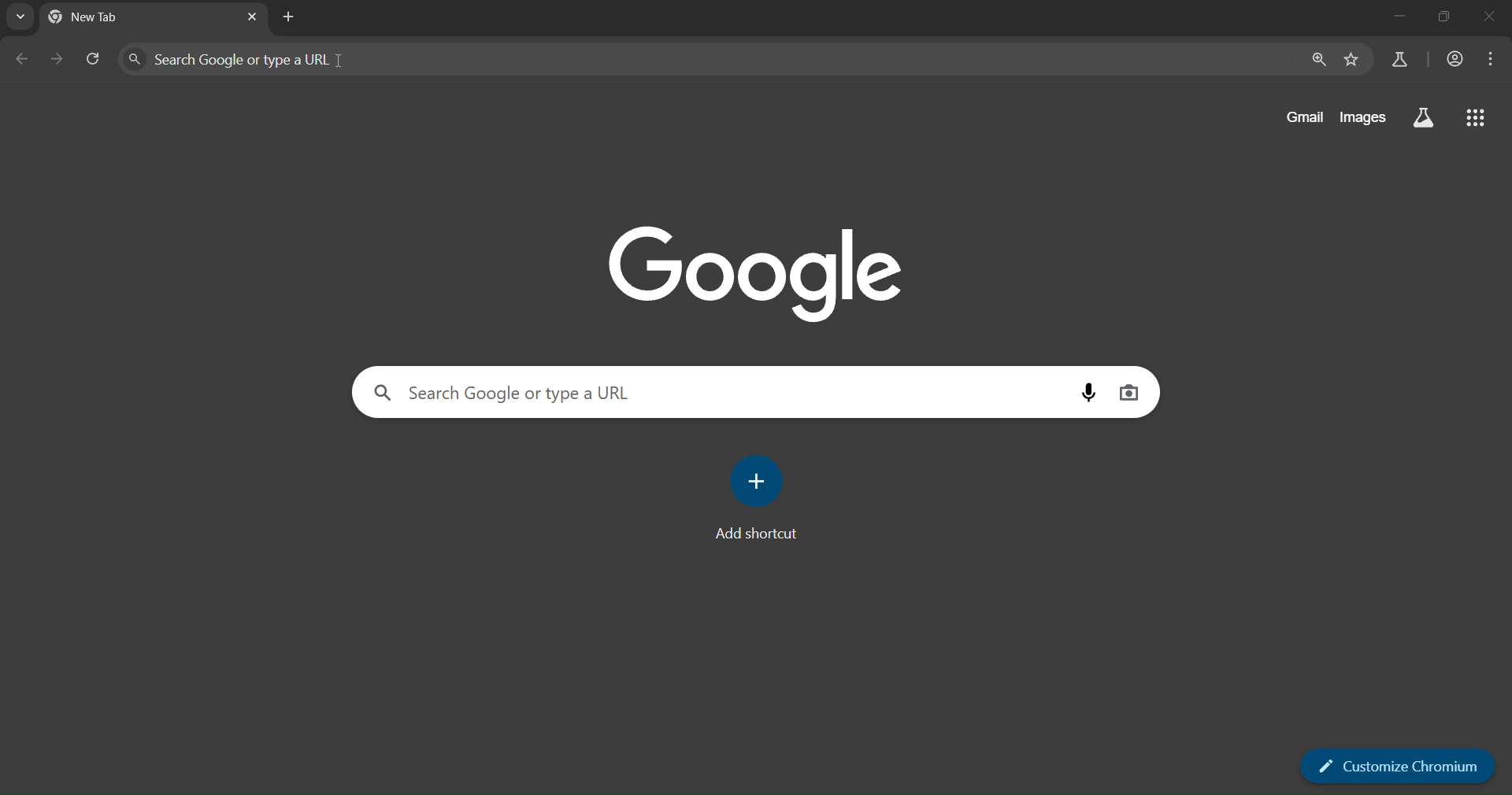 This screenshot has width=1512, height=795. What do you see at coordinates (1399, 58) in the screenshot?
I see `search labs` at bounding box center [1399, 58].